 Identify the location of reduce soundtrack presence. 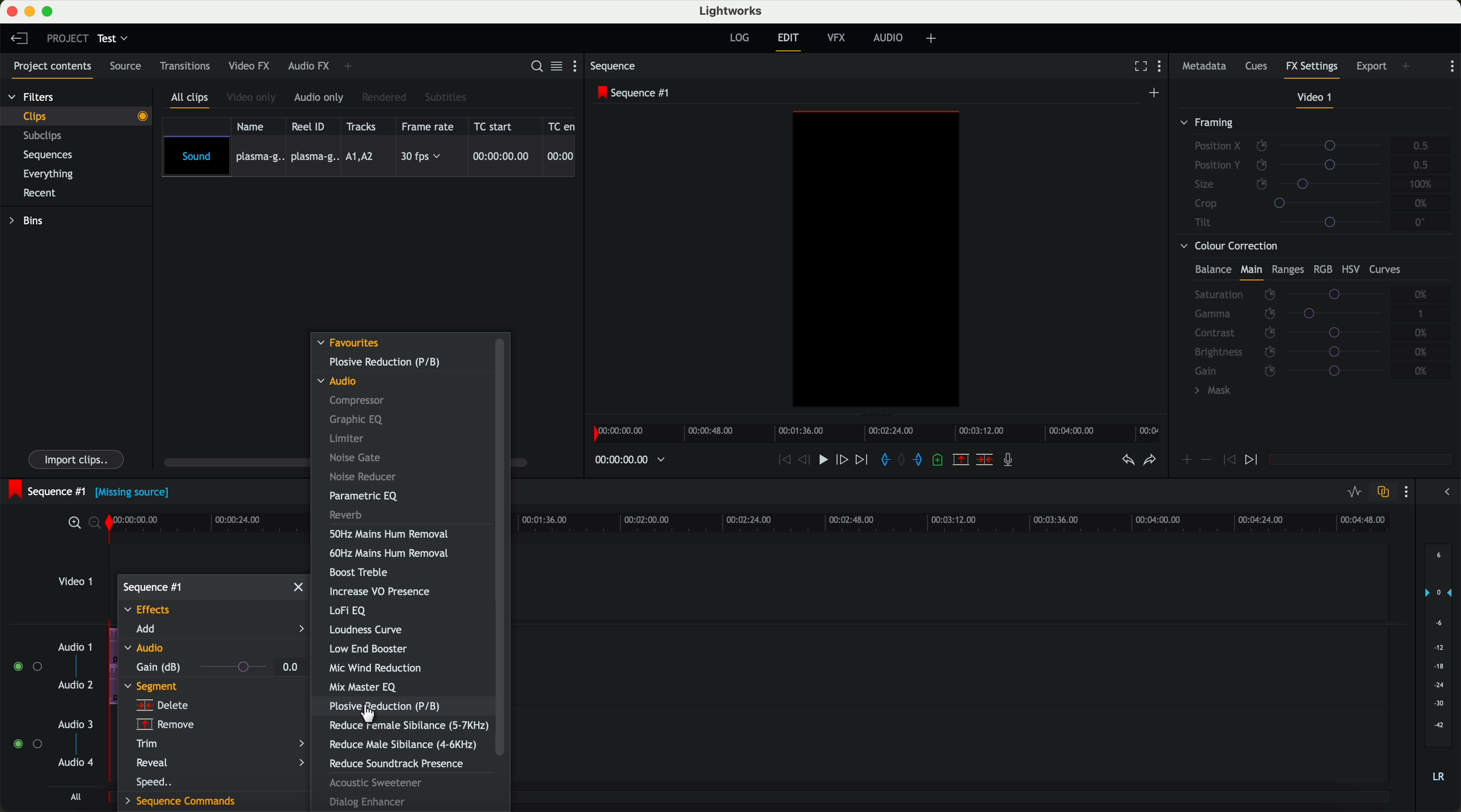
(395, 764).